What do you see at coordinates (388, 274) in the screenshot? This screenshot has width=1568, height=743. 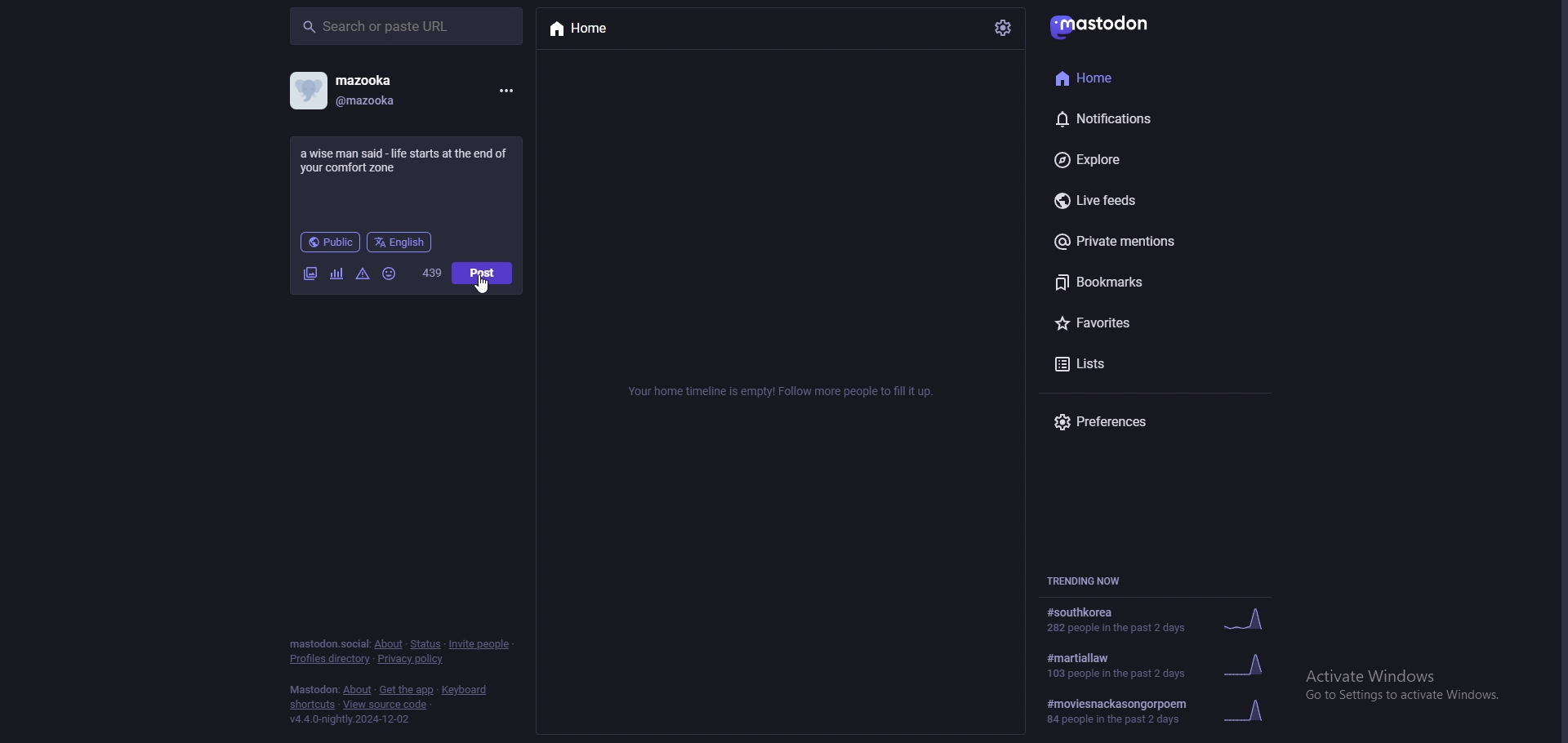 I see `emoji` at bounding box center [388, 274].